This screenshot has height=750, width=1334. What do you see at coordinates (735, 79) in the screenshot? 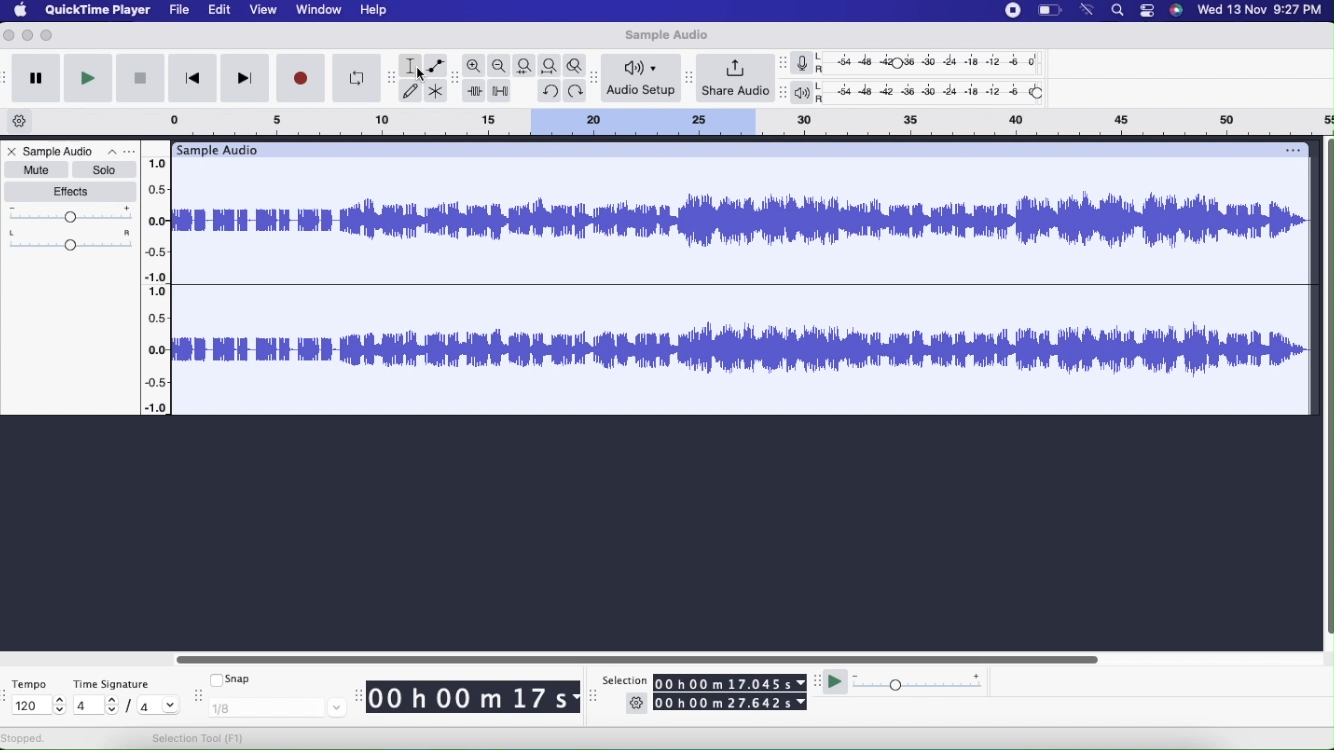
I see `Share Audio` at bounding box center [735, 79].